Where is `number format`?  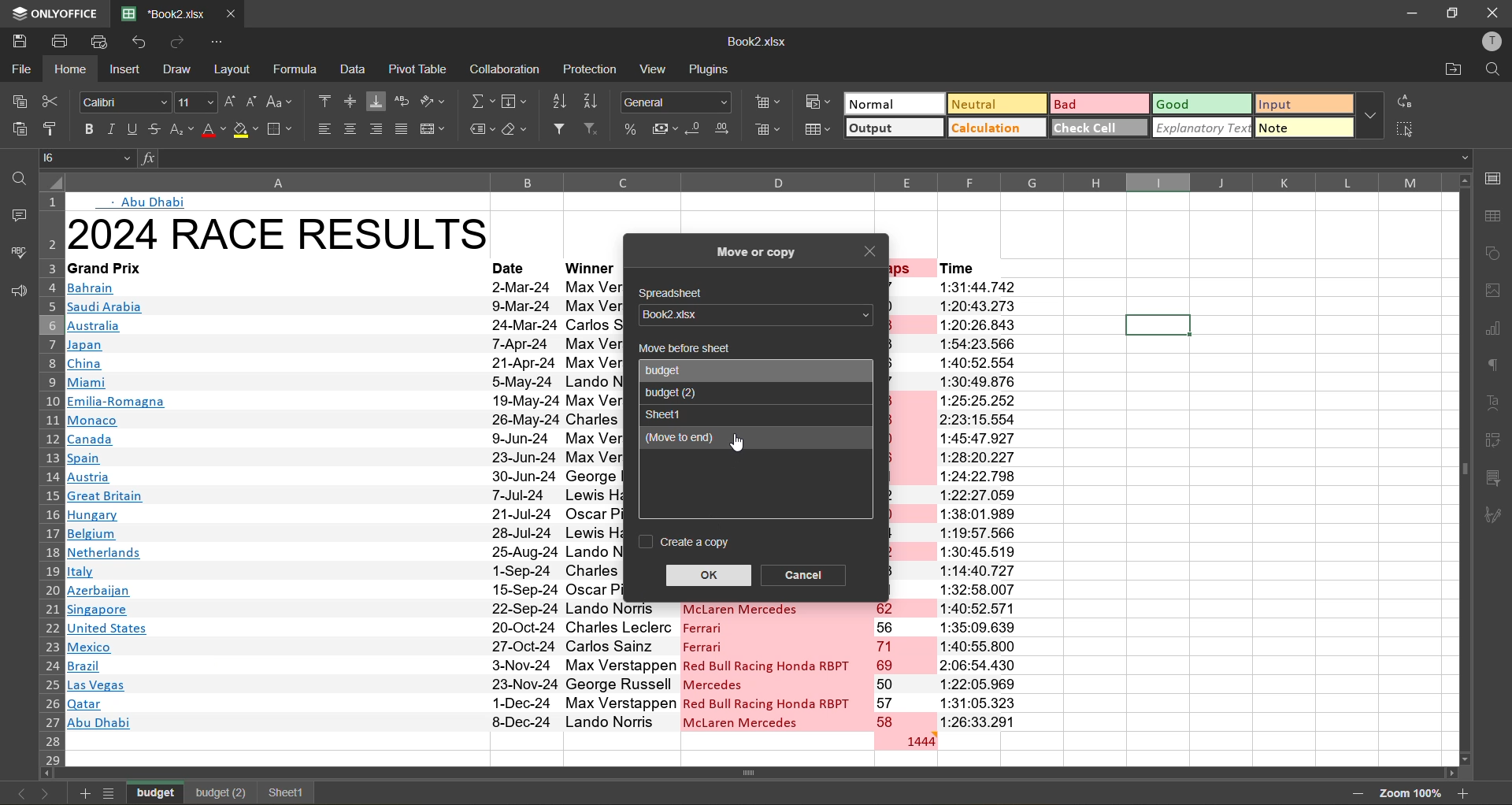 number format is located at coordinates (679, 101).